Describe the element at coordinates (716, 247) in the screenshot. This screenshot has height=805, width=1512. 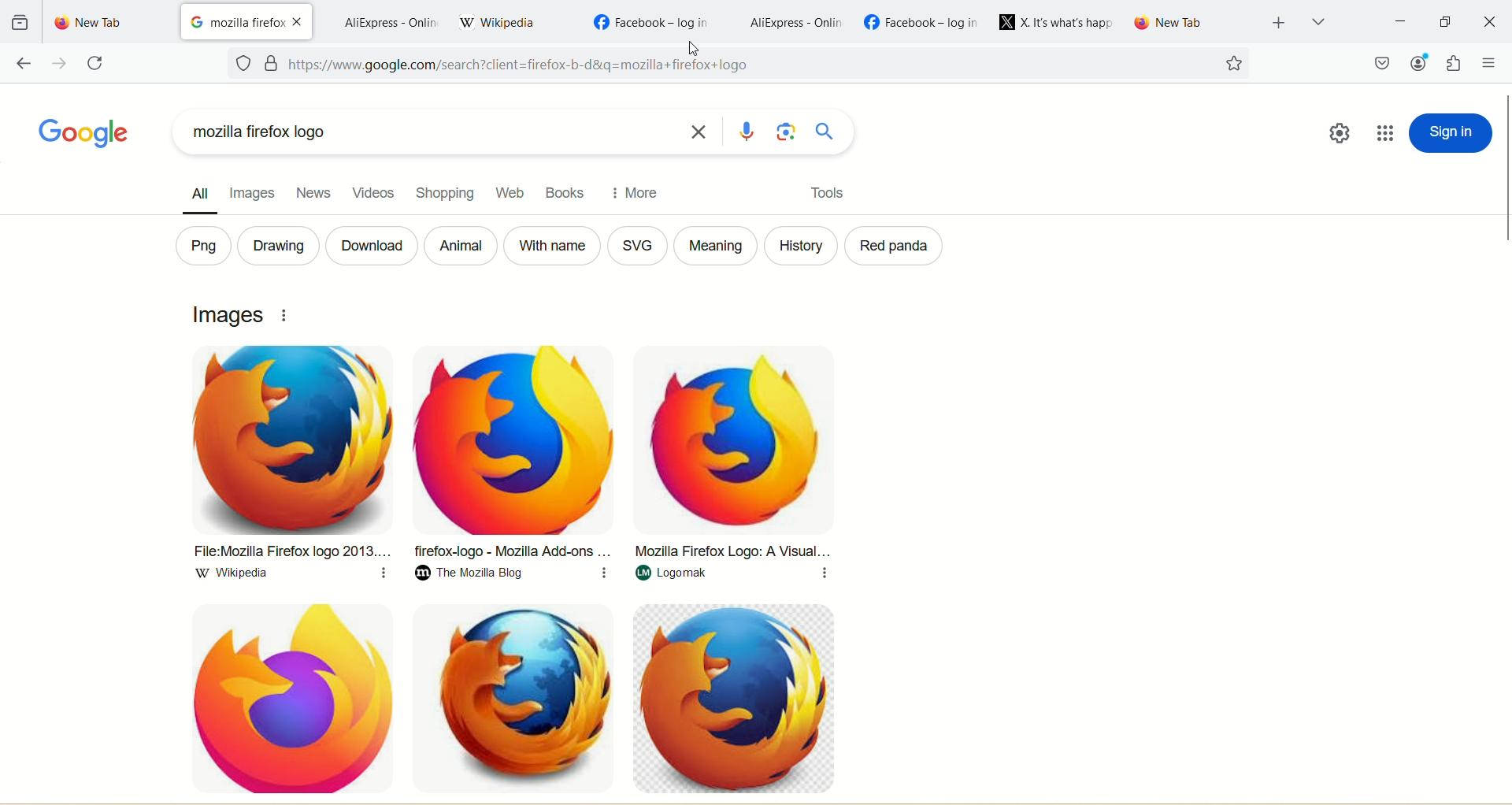
I see `meaning` at that location.